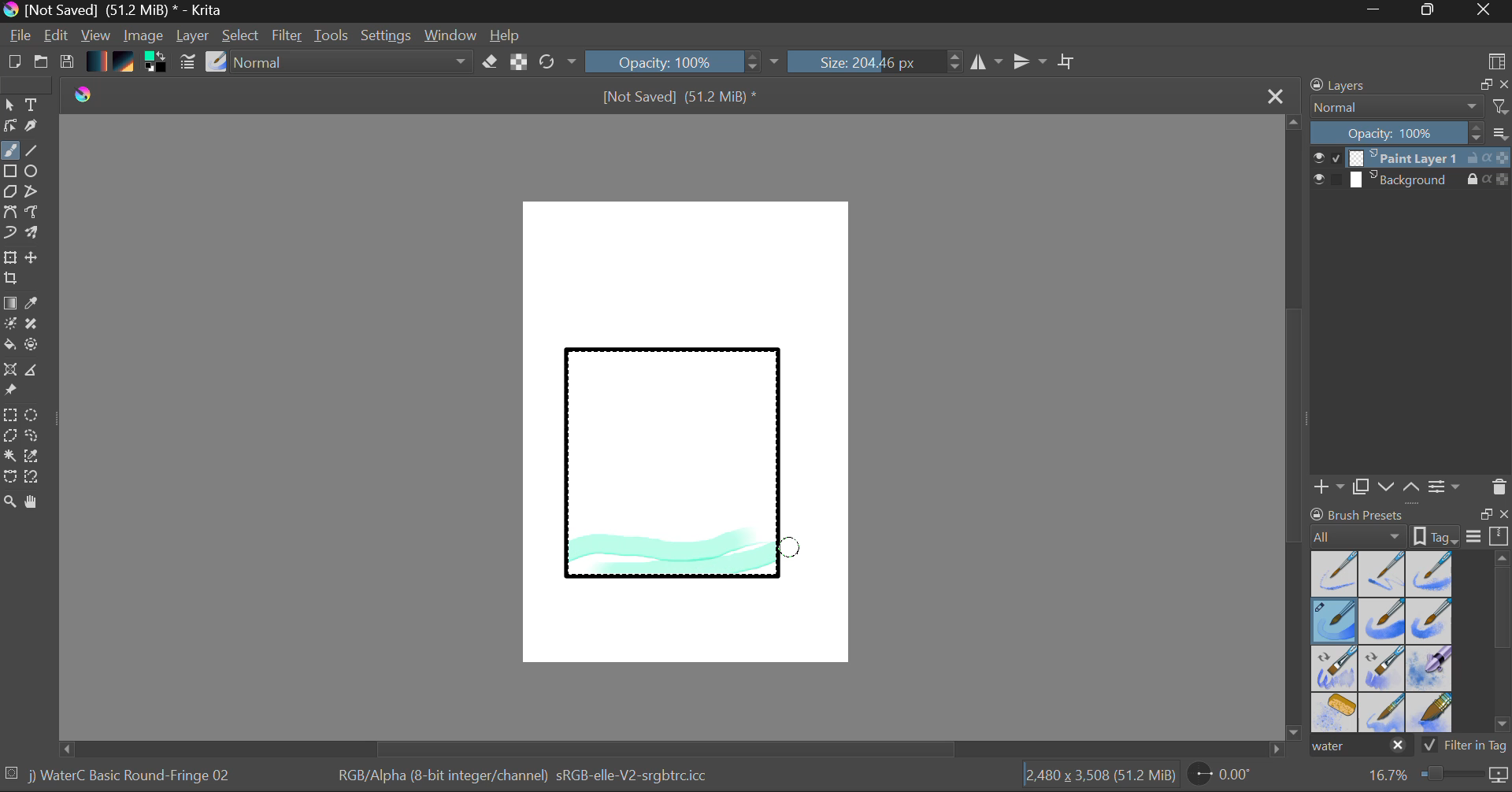 The height and width of the screenshot is (792, 1512). What do you see at coordinates (35, 416) in the screenshot?
I see `Elipses Selection tool` at bounding box center [35, 416].